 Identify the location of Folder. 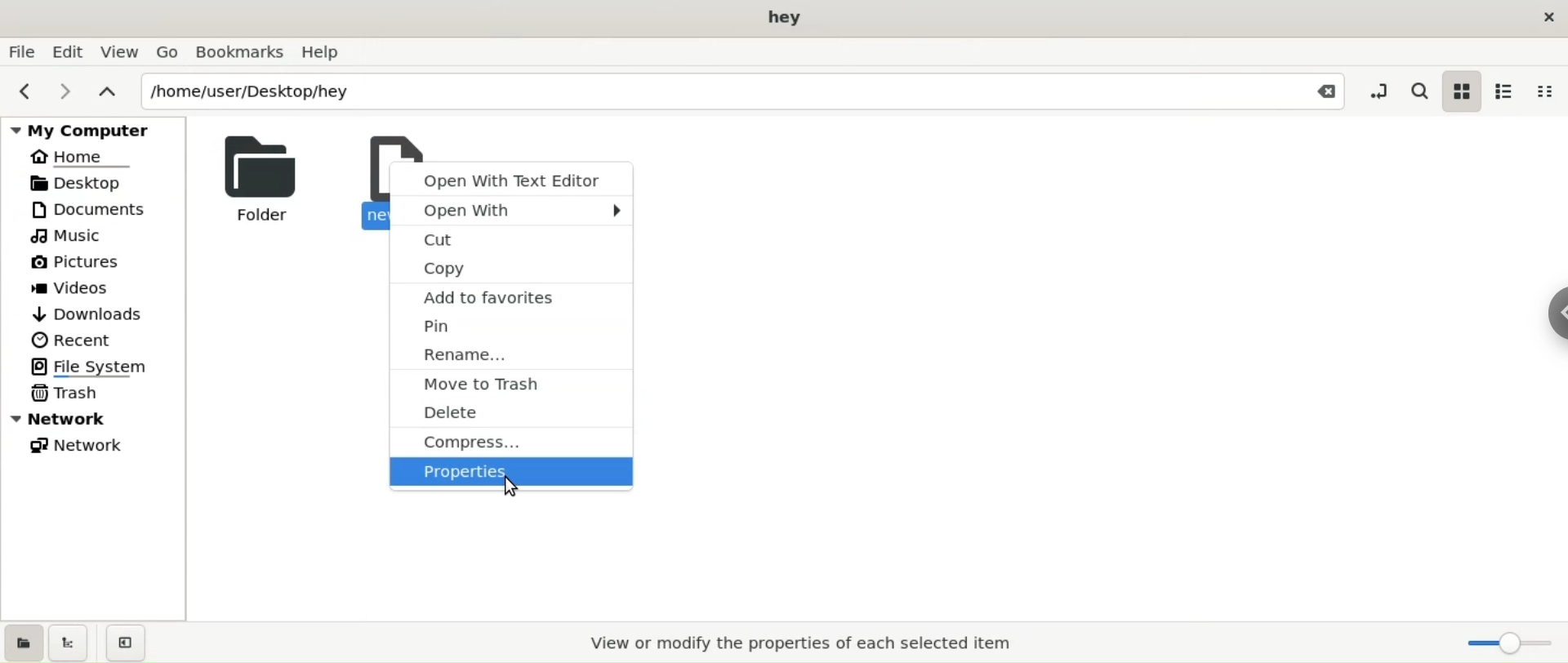
(256, 177).